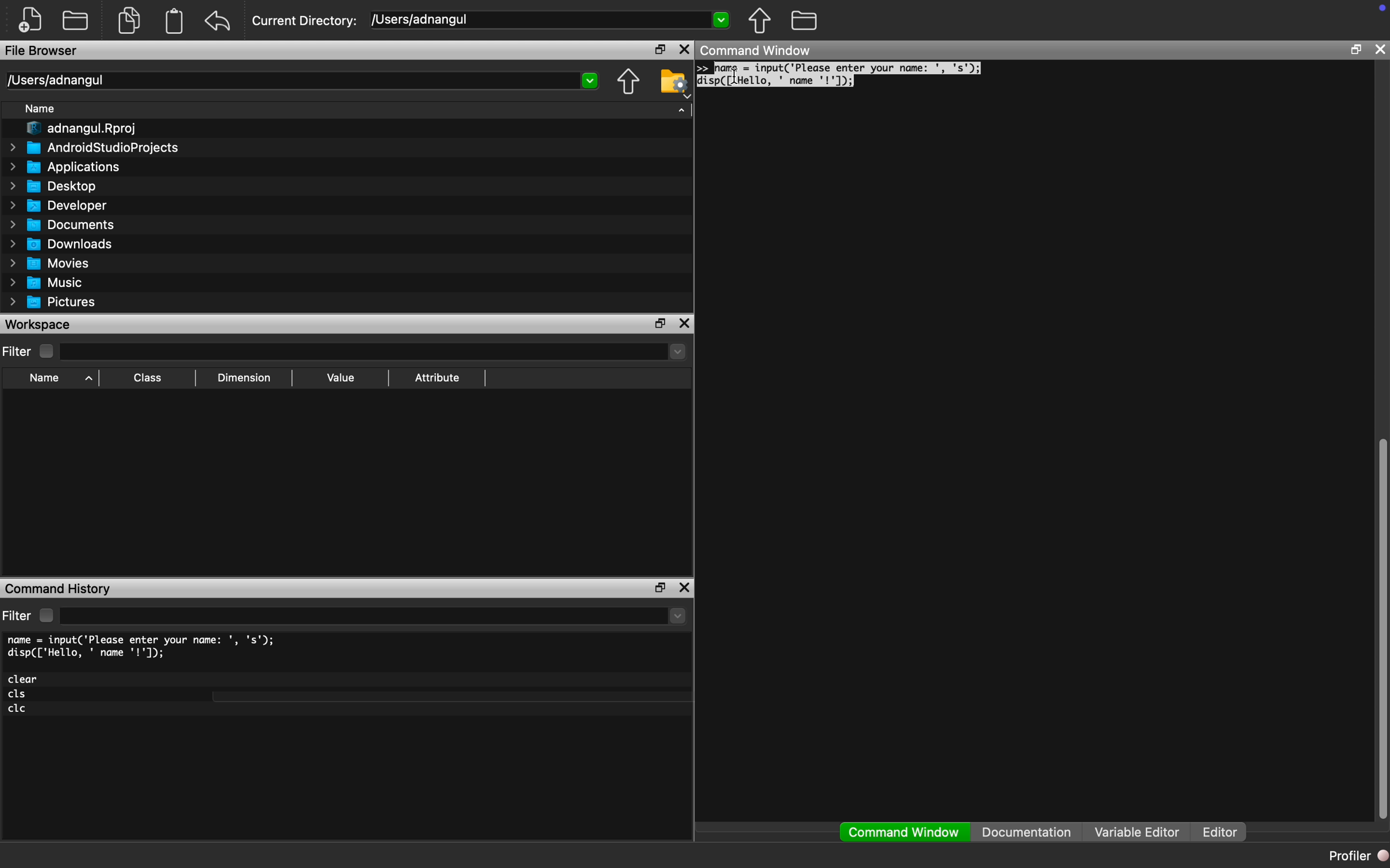  What do you see at coordinates (660, 323) in the screenshot?
I see `maximize` at bounding box center [660, 323].